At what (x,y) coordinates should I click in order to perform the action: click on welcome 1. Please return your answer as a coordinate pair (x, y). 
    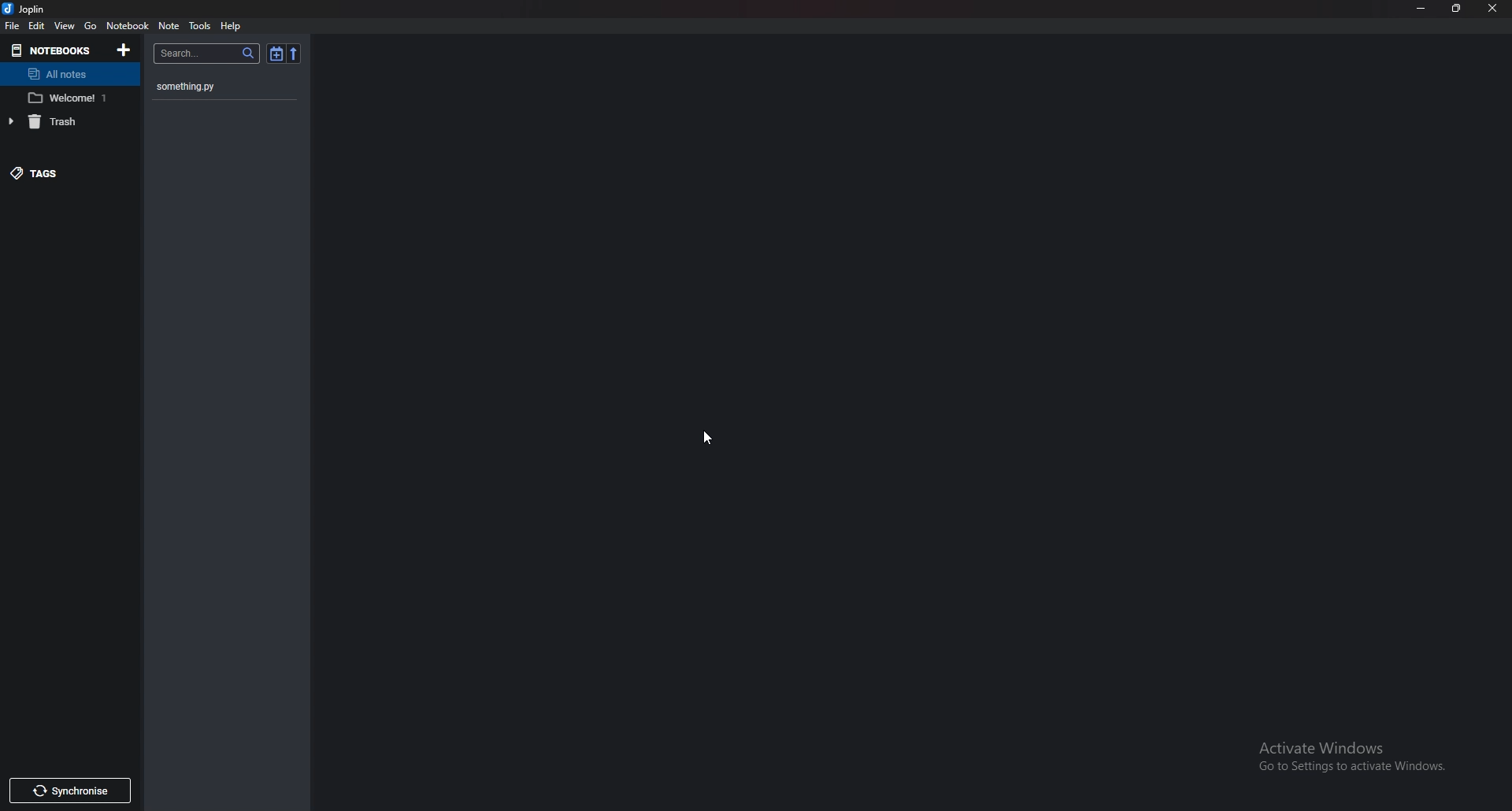
    Looking at the image, I should click on (69, 98).